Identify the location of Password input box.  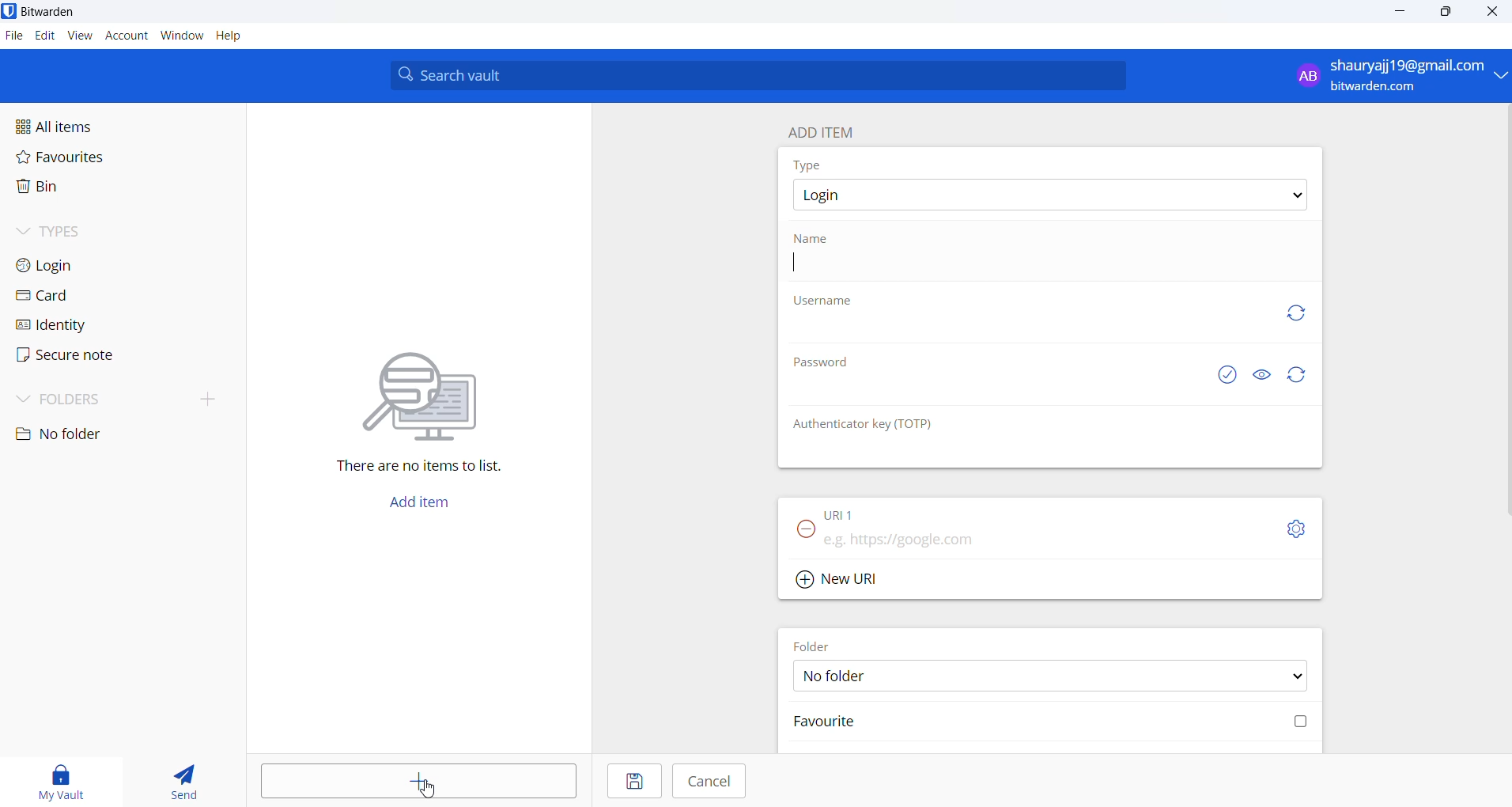
(1000, 396).